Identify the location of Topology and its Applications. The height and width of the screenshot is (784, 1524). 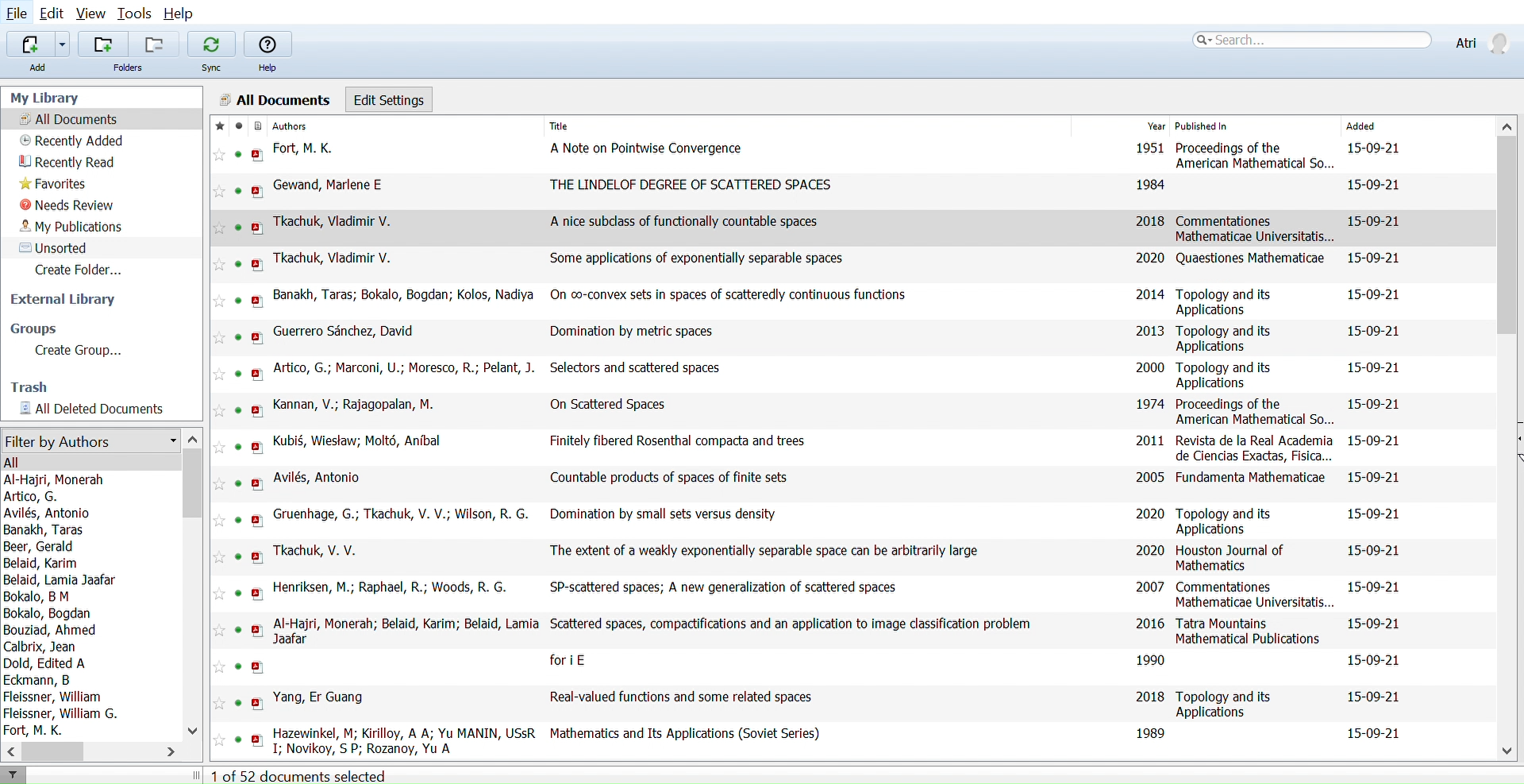
(1229, 302).